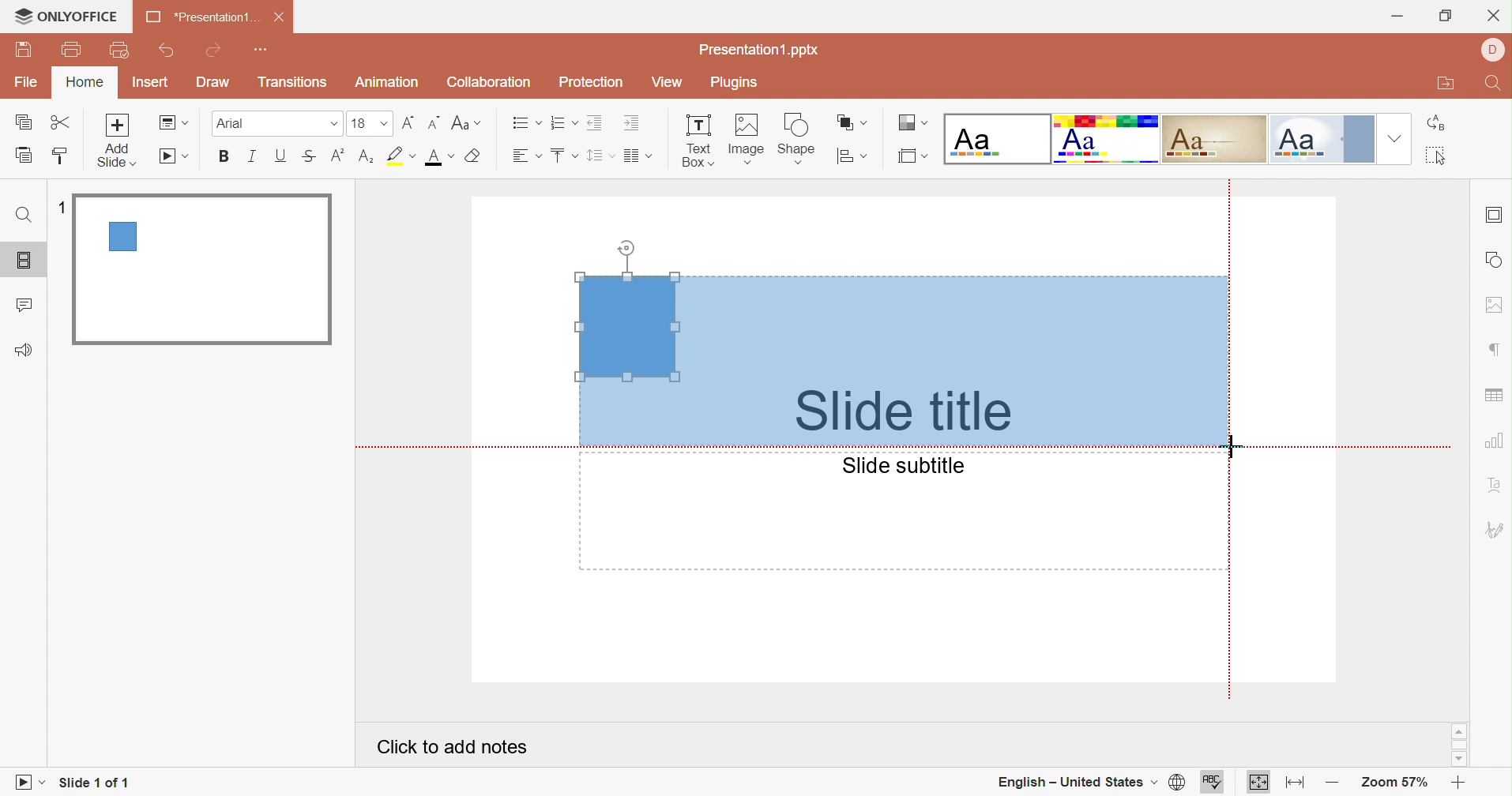 This screenshot has height=796, width=1512. I want to click on Save, so click(24, 50).